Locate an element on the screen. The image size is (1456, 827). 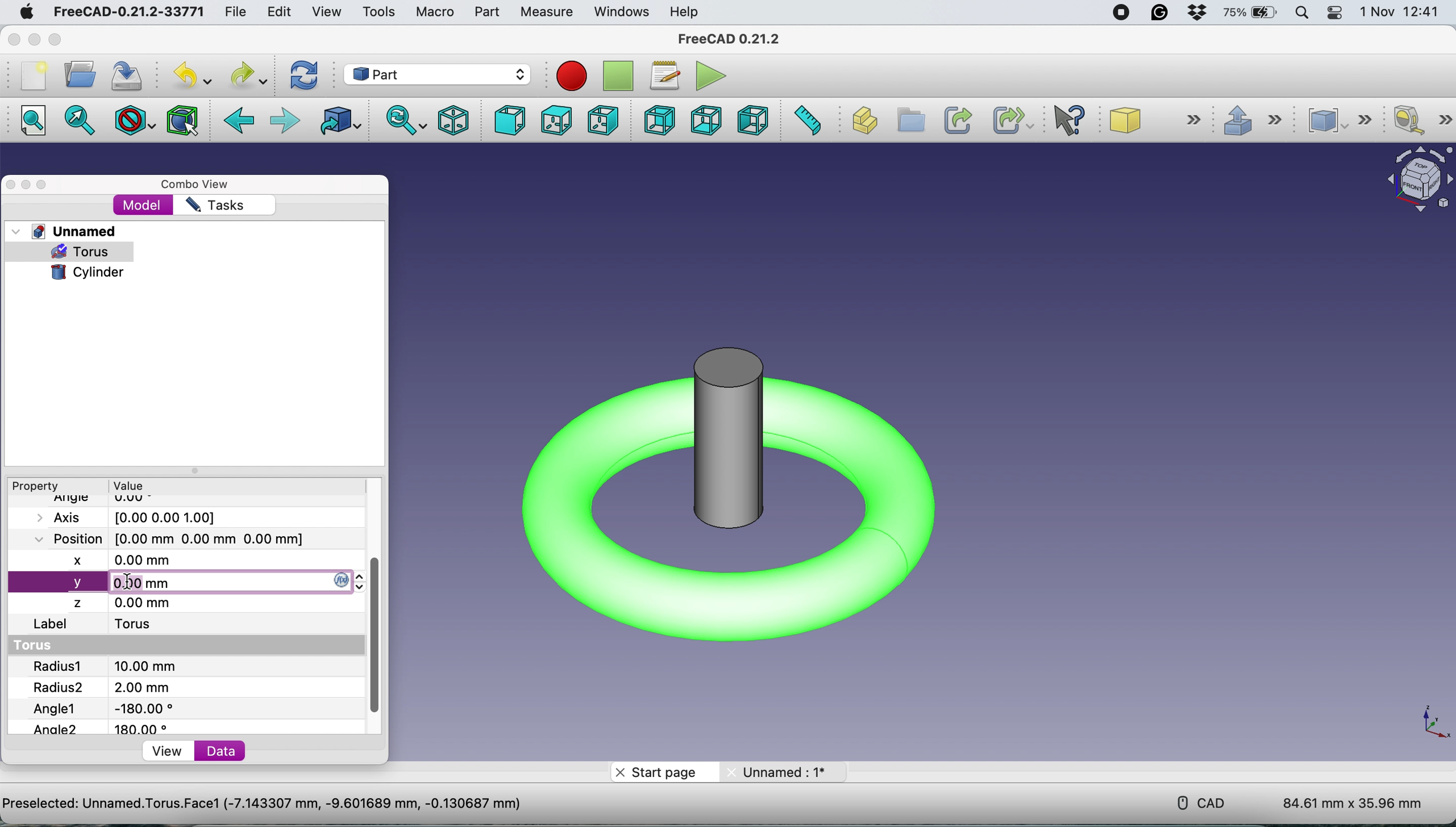
cursor is located at coordinates (131, 580).